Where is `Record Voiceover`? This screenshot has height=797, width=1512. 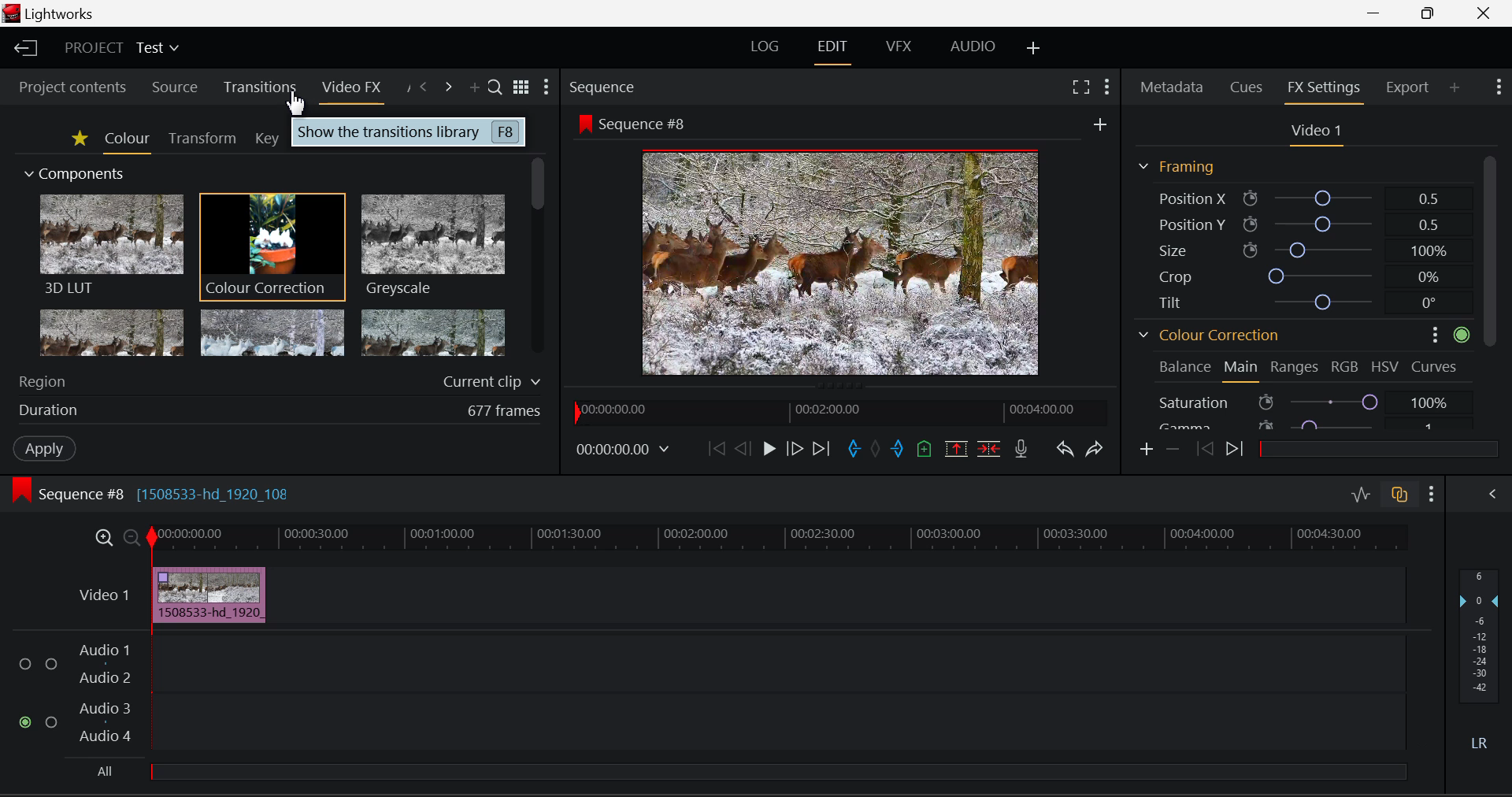
Record Voiceover is located at coordinates (1022, 449).